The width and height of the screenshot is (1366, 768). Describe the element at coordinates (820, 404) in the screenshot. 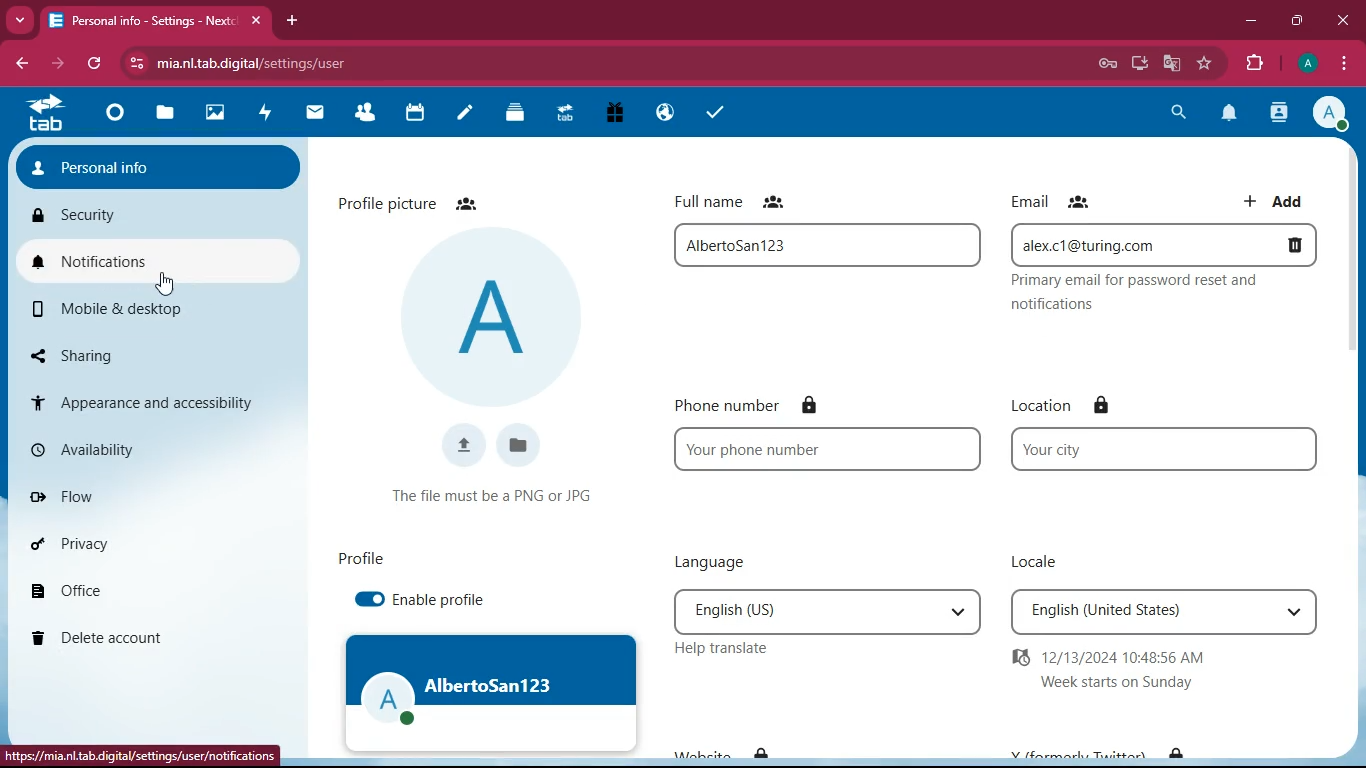

I see `Lock` at that location.